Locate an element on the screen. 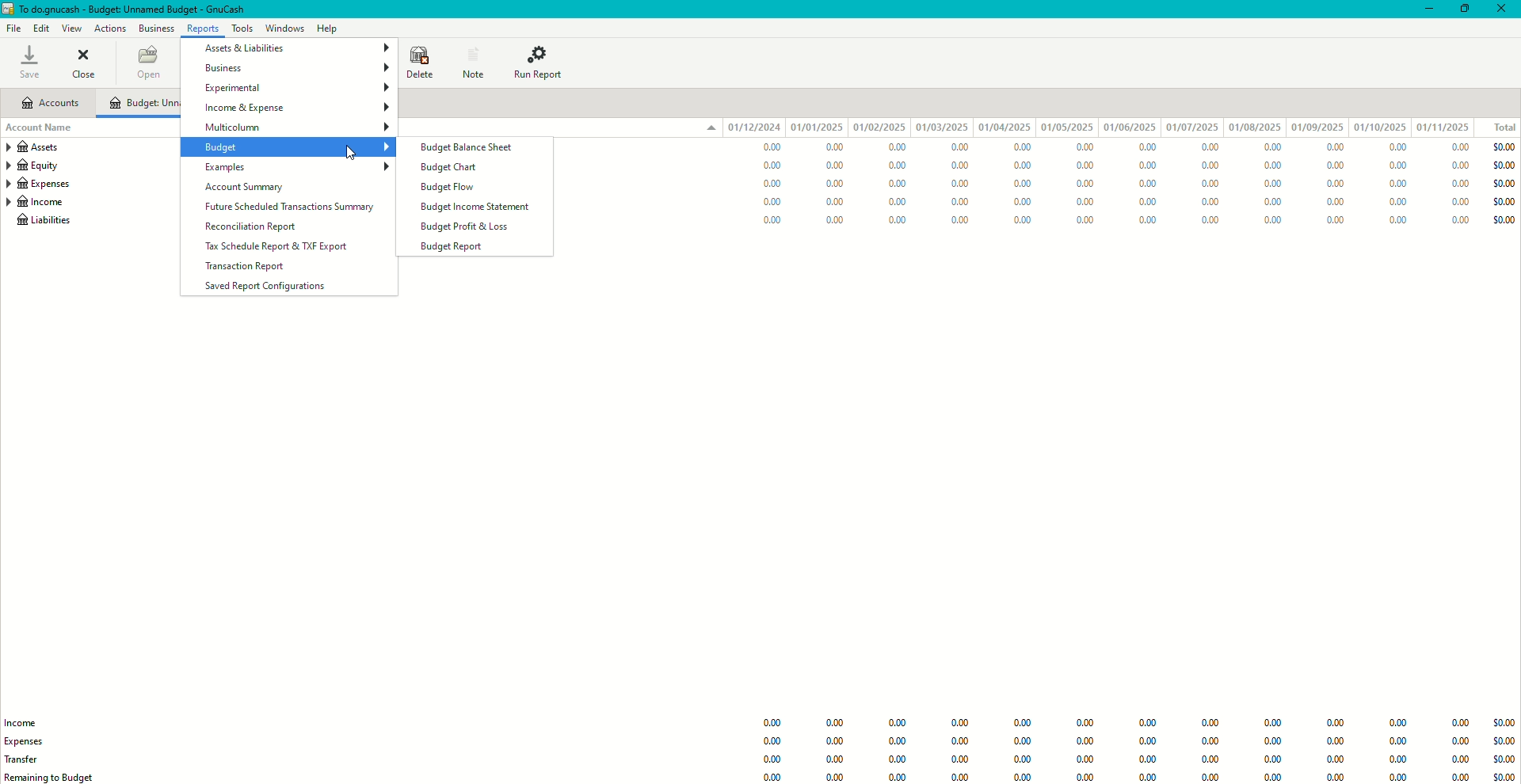  0.00 is located at coordinates (1022, 184).